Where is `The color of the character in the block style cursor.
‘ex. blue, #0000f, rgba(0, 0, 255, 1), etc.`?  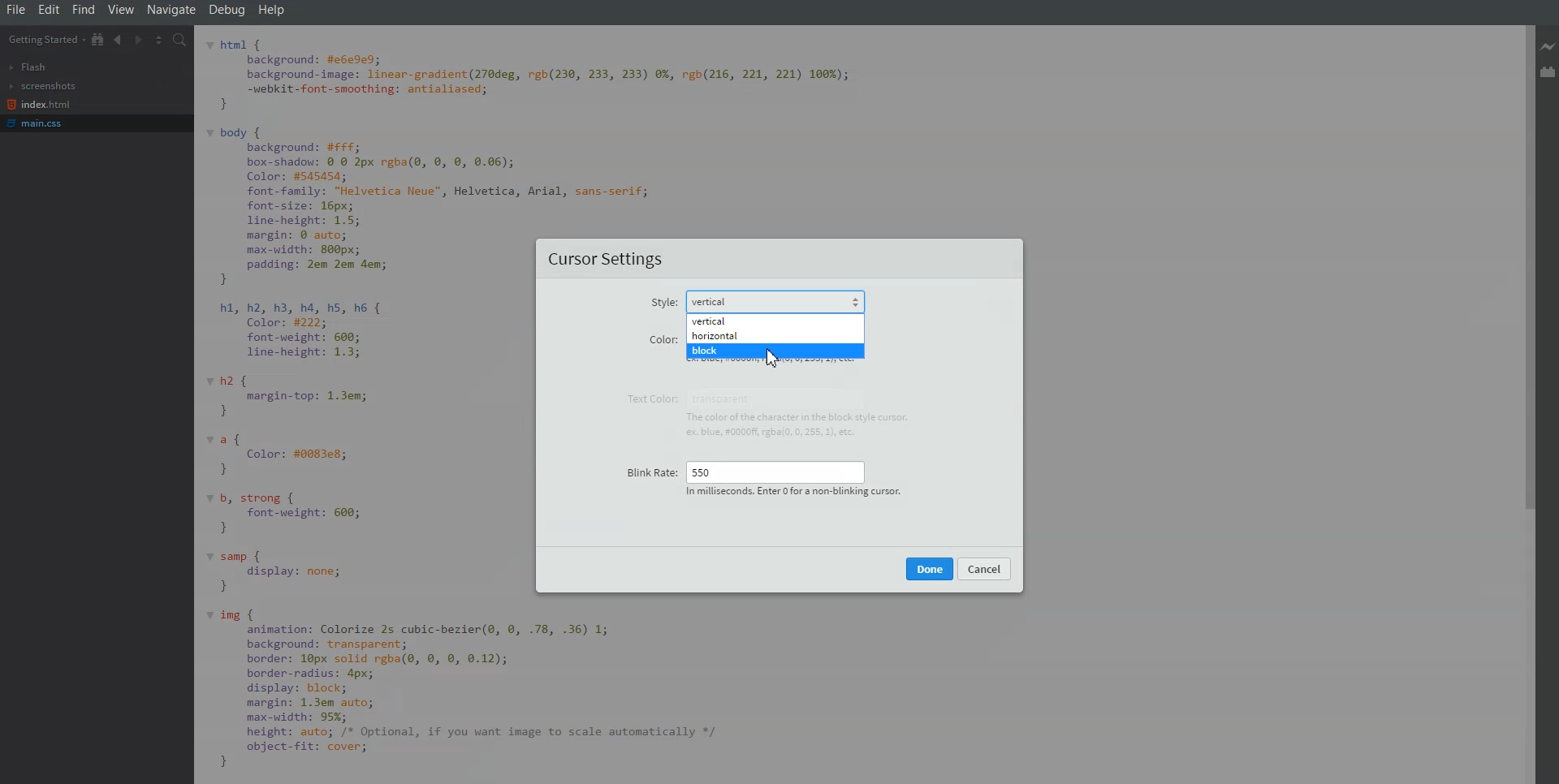
The color of the character in the block style cursor.
‘ex. blue, #0000f, rgba(0, 0, 255, 1), etc. is located at coordinates (805, 425).